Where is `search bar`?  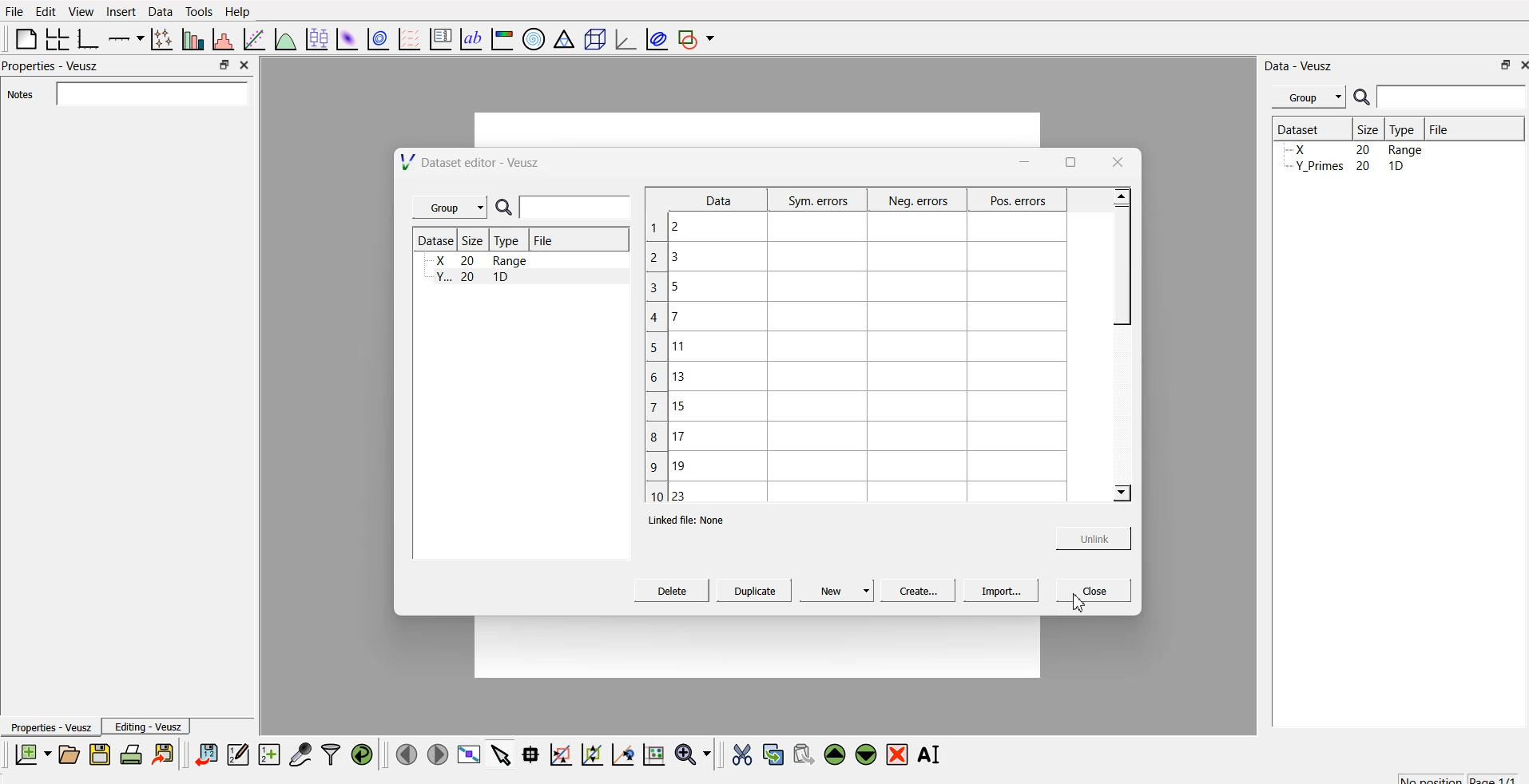 search bar is located at coordinates (149, 93).